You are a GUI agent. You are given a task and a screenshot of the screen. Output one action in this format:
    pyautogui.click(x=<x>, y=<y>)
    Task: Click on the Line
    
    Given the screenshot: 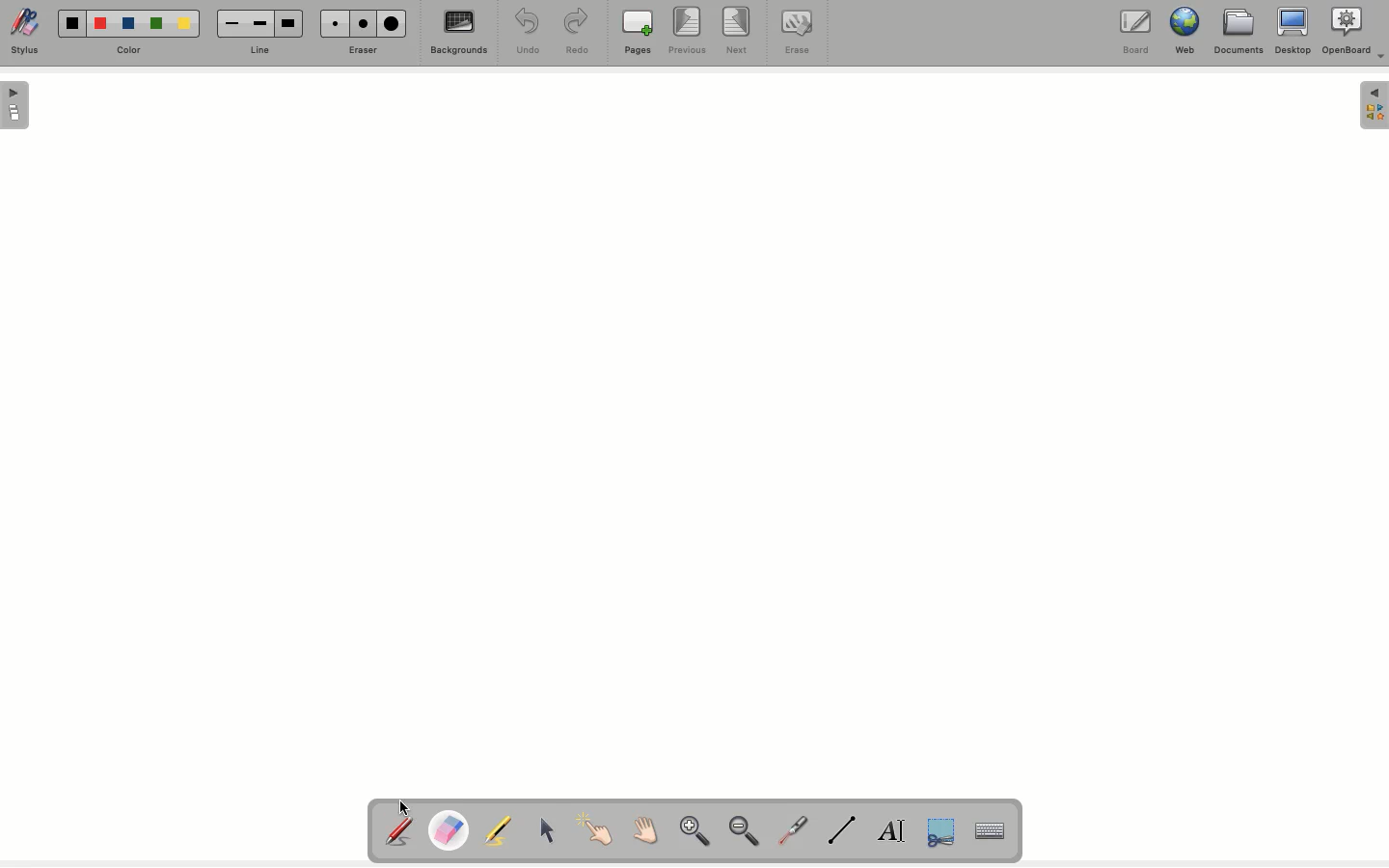 What is the action you would take?
    pyautogui.click(x=265, y=49)
    